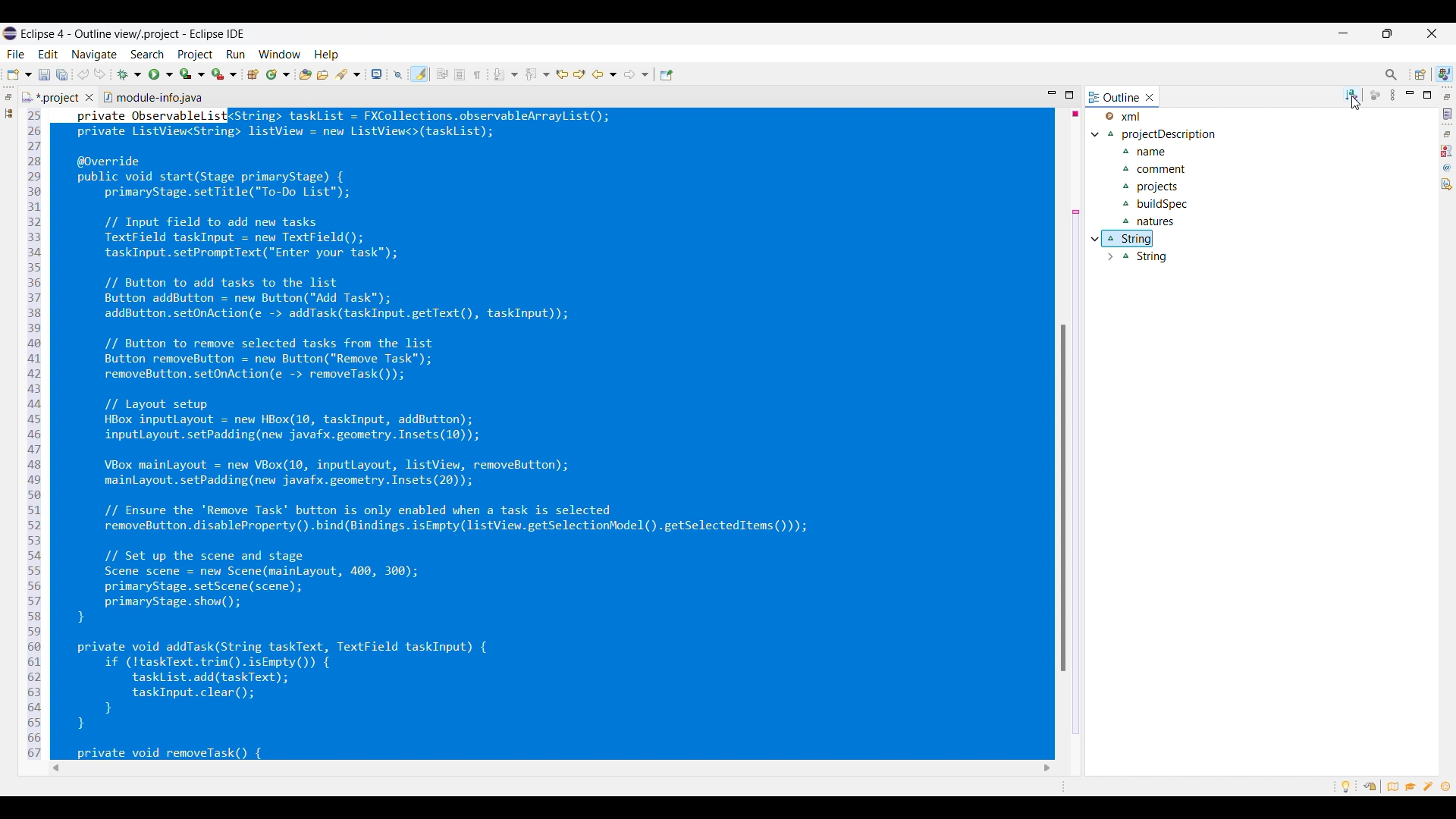 This screenshot has height=819, width=1456. I want to click on comment, so click(1163, 168).